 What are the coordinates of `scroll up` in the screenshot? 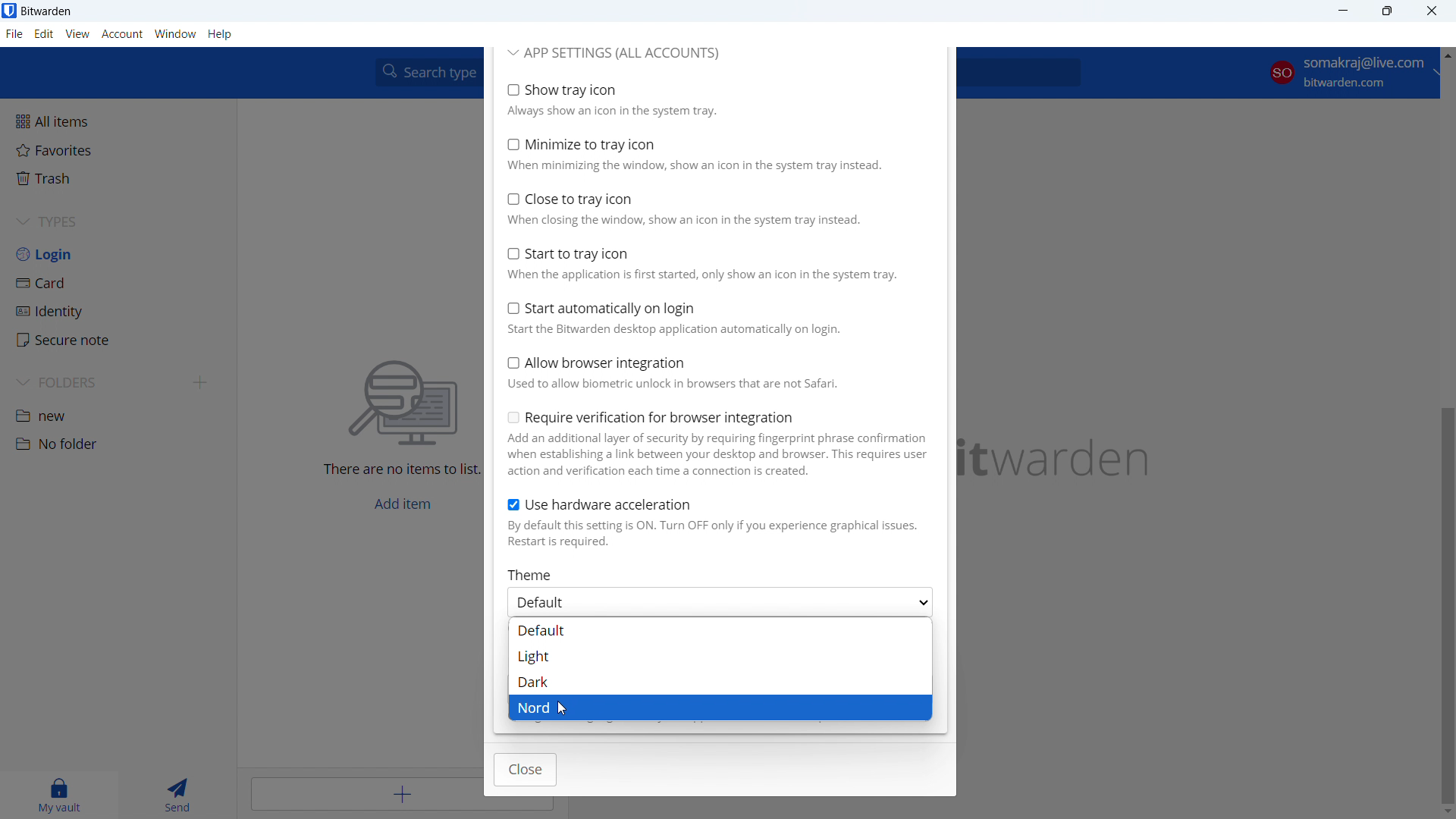 It's located at (1446, 52).